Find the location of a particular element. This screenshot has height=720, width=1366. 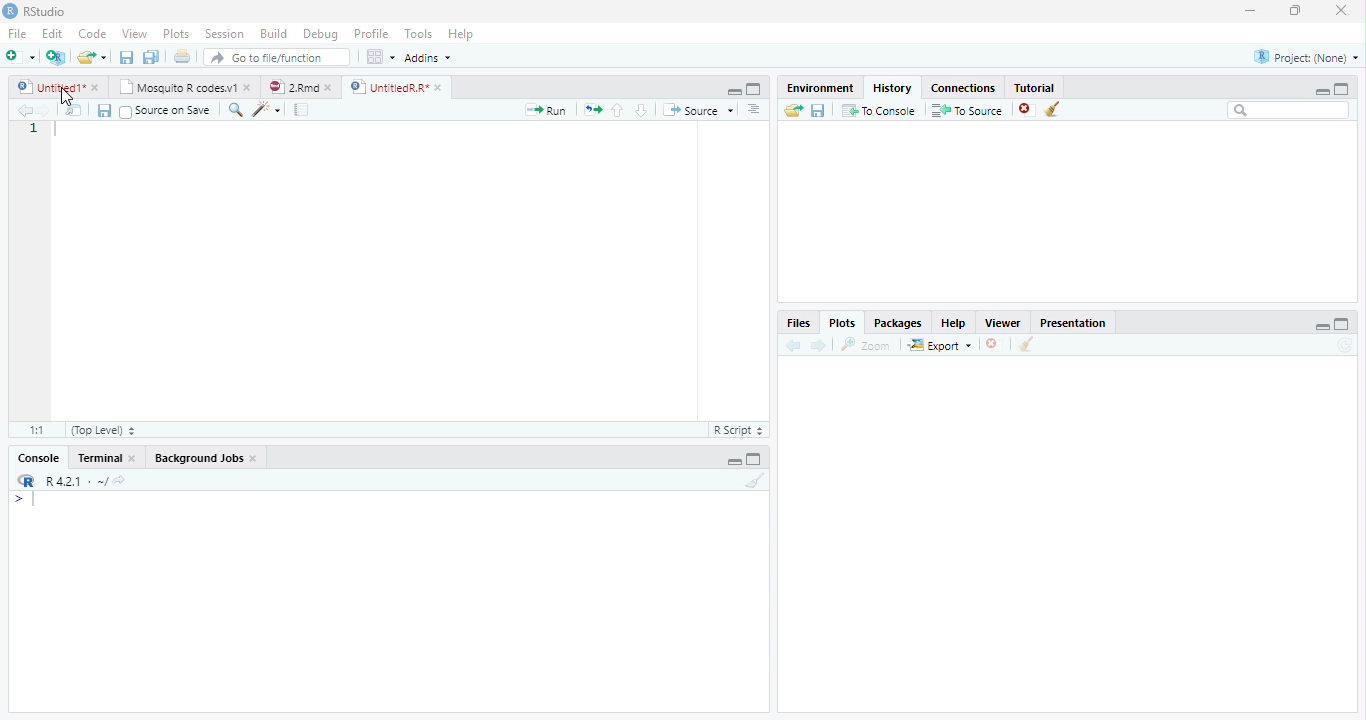

Top level is located at coordinates (104, 431).